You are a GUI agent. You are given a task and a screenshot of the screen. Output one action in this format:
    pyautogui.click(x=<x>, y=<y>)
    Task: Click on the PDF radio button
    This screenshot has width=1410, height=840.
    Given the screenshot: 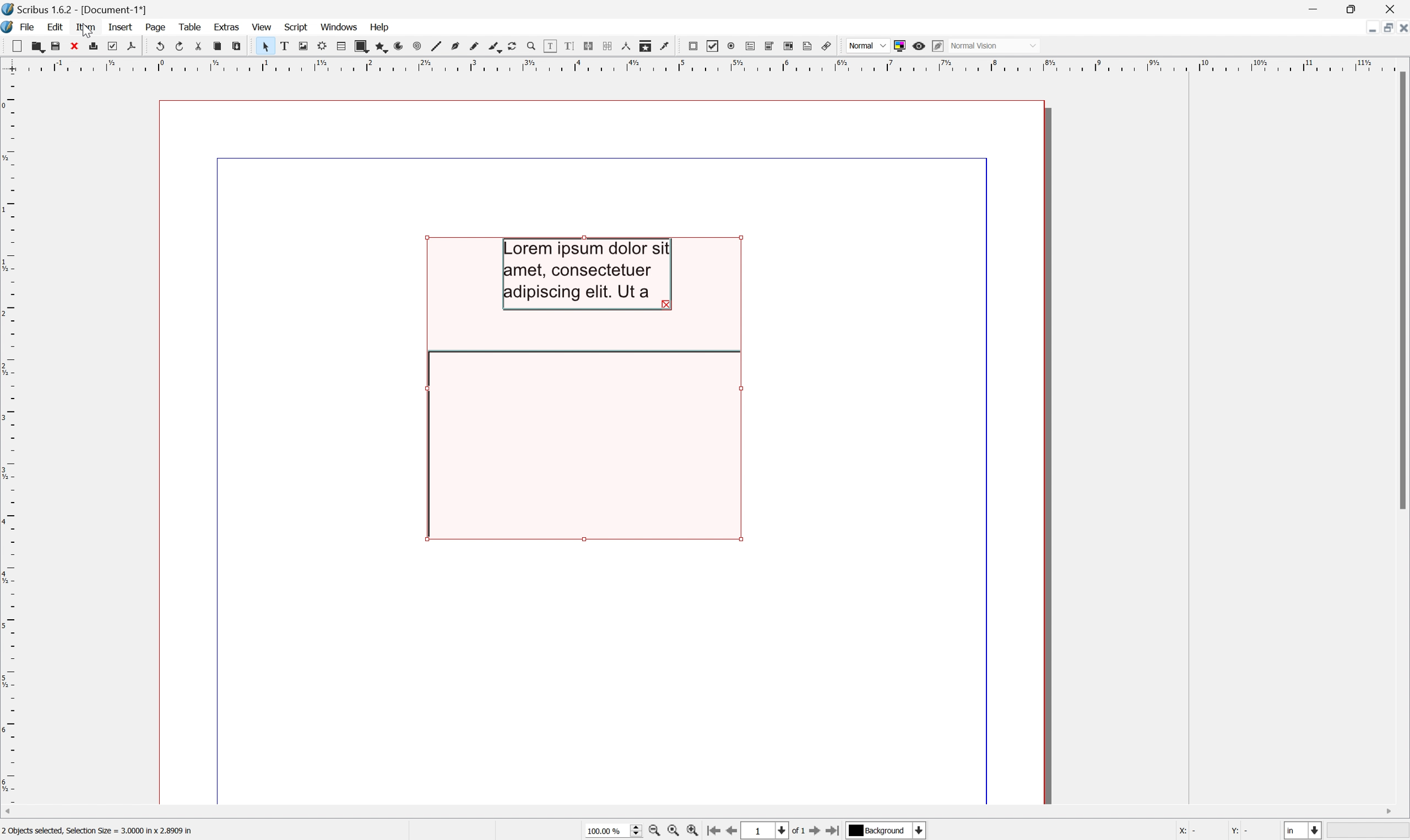 What is the action you would take?
    pyautogui.click(x=730, y=46)
    